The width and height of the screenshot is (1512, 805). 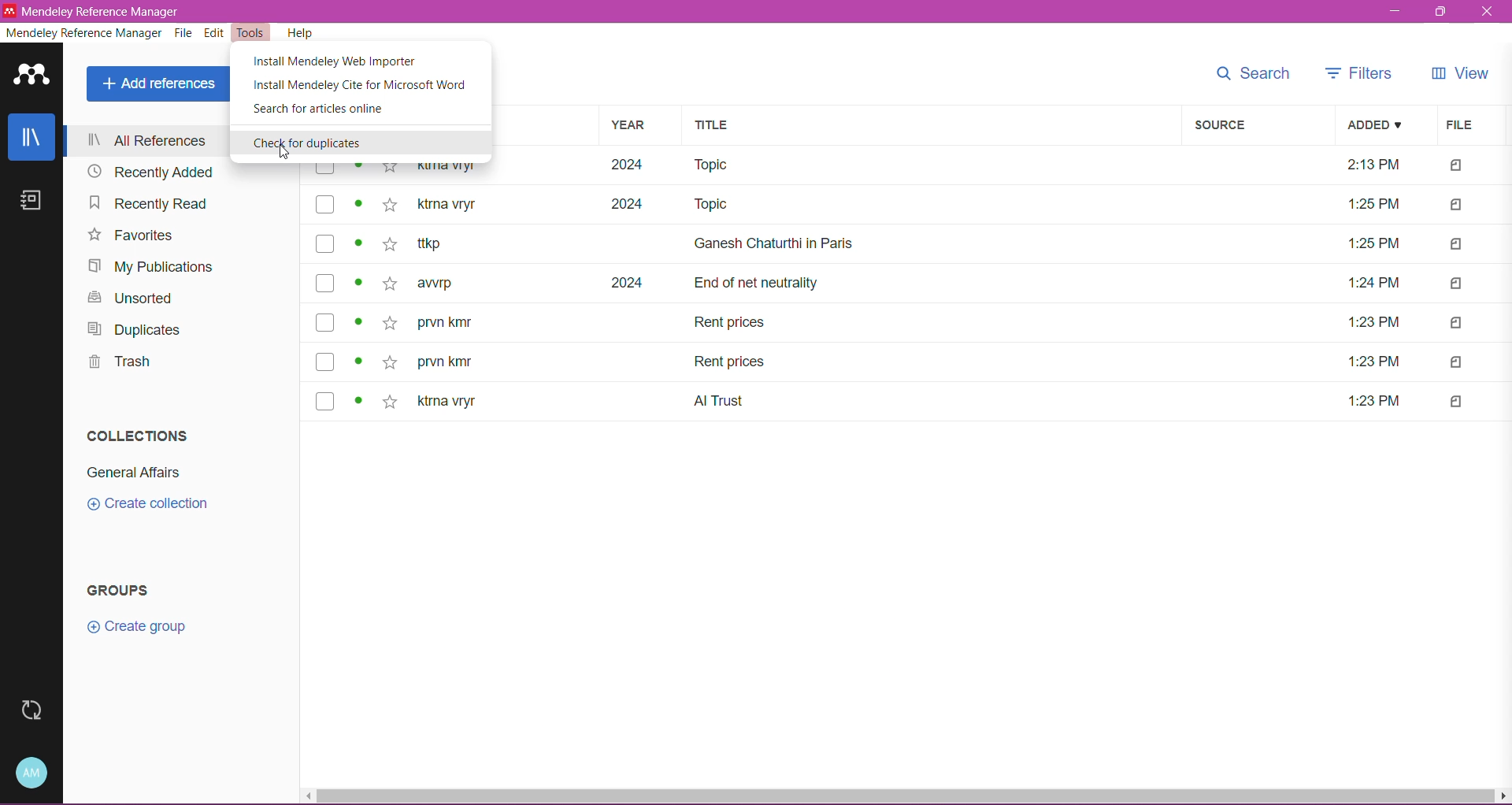 What do you see at coordinates (361, 143) in the screenshot?
I see `Check for Duplicates` at bounding box center [361, 143].